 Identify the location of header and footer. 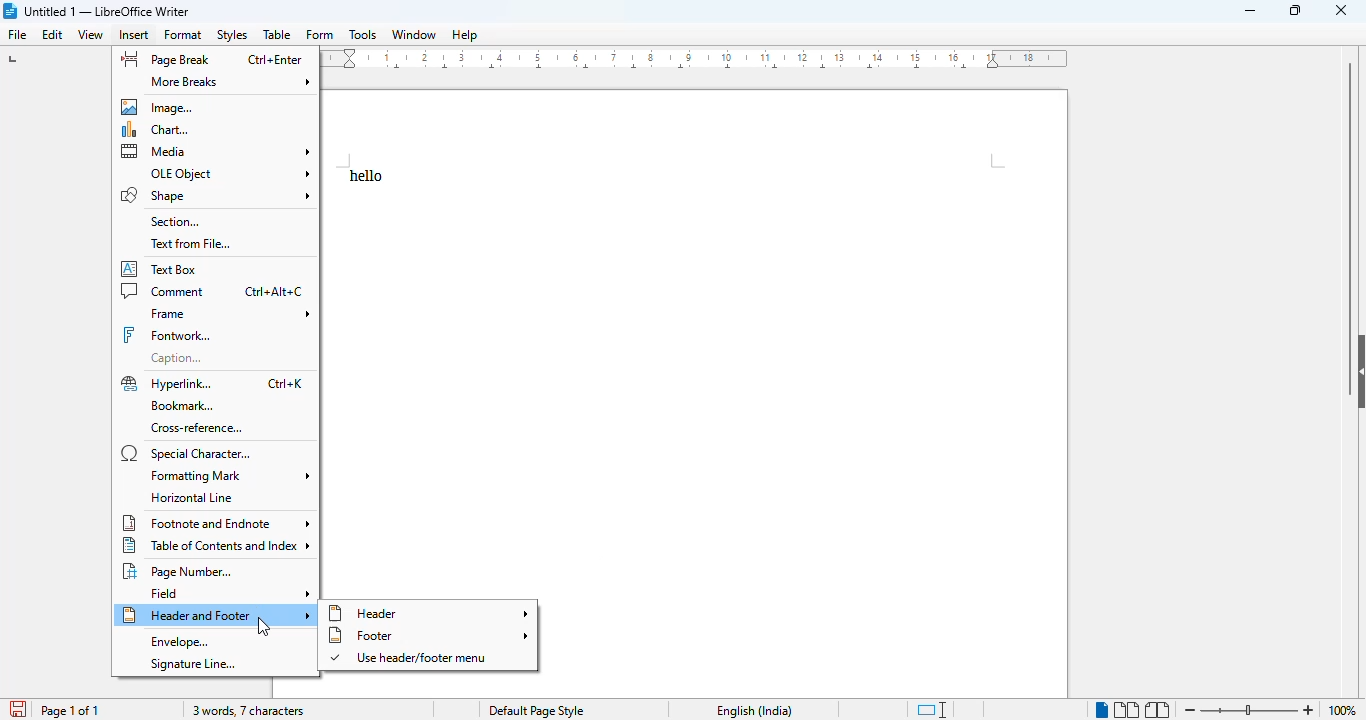
(217, 617).